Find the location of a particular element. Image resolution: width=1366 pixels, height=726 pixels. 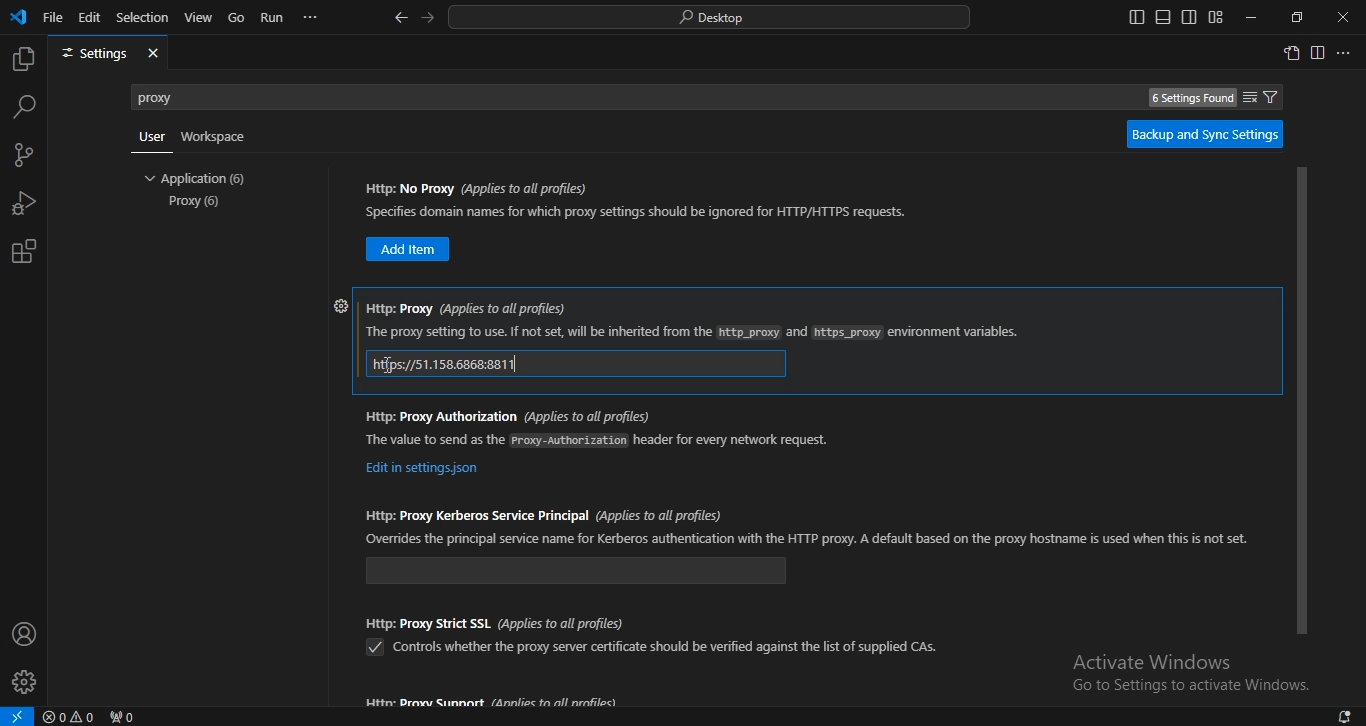

explorer is located at coordinates (23, 58).